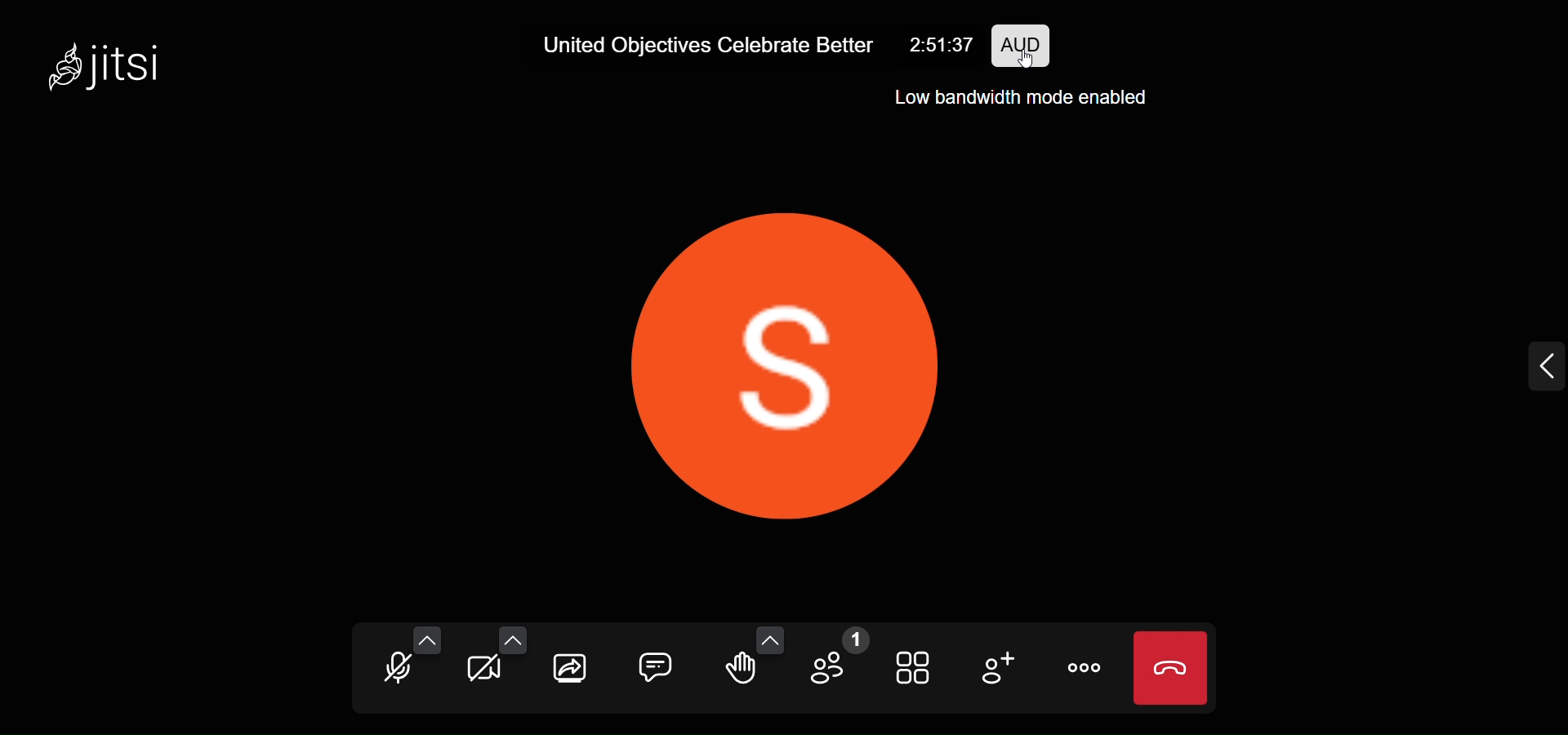  I want to click on more emoji, so click(770, 639).